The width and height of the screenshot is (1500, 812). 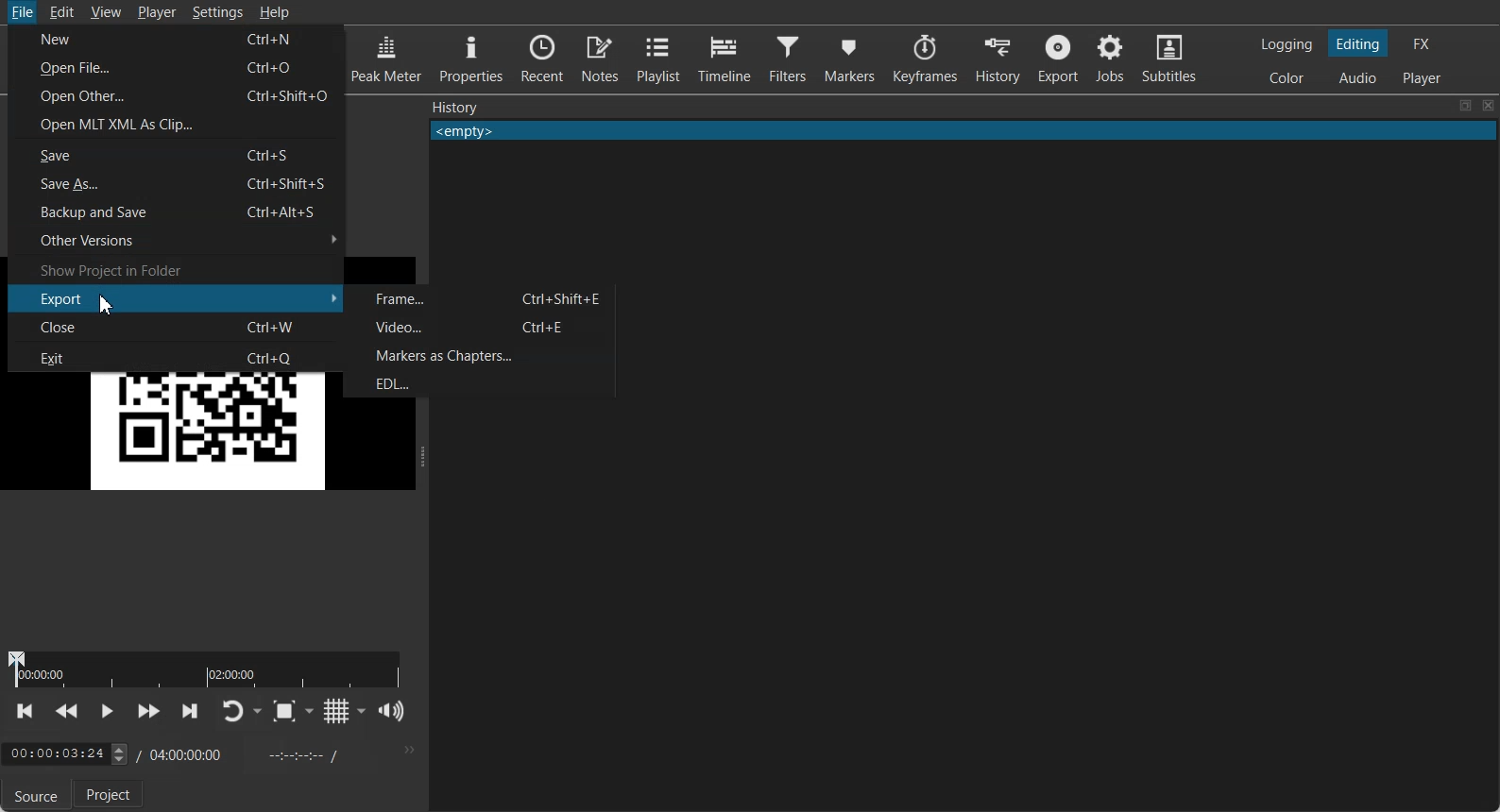 I want to click on Toggle Play or Pause, so click(x=105, y=713).